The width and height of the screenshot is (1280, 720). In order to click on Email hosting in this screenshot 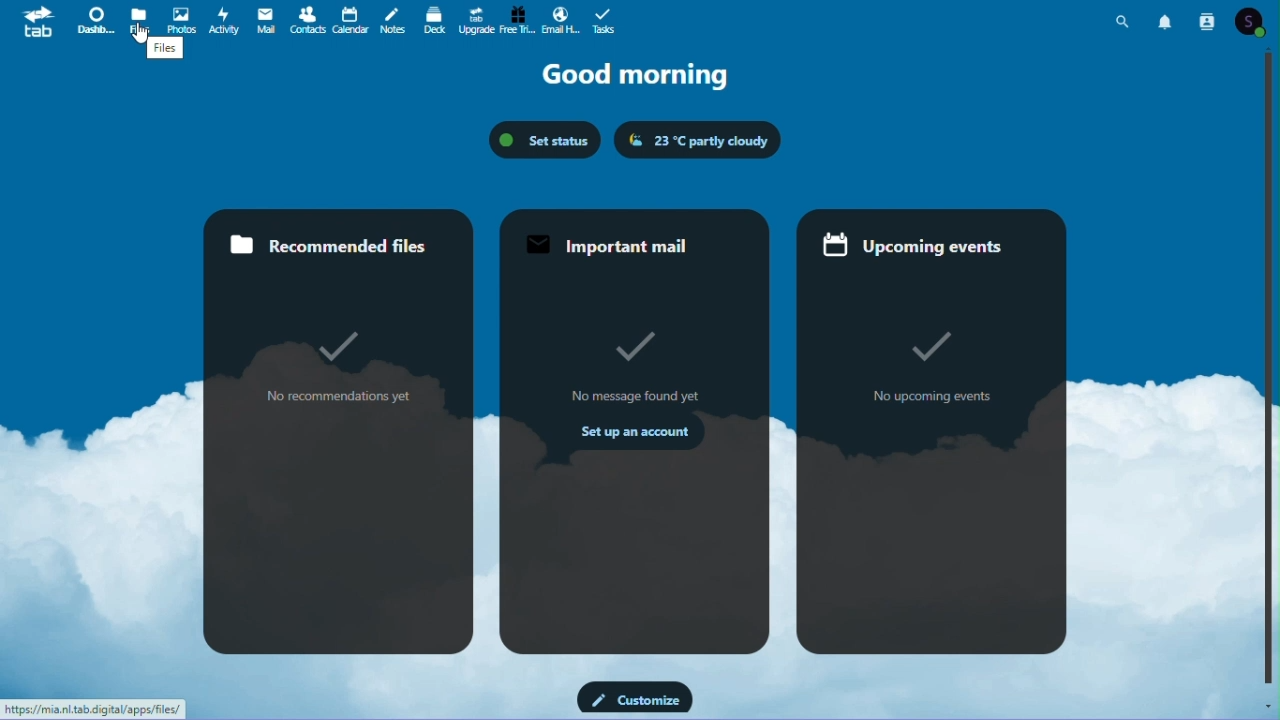, I will do `click(559, 21)`.